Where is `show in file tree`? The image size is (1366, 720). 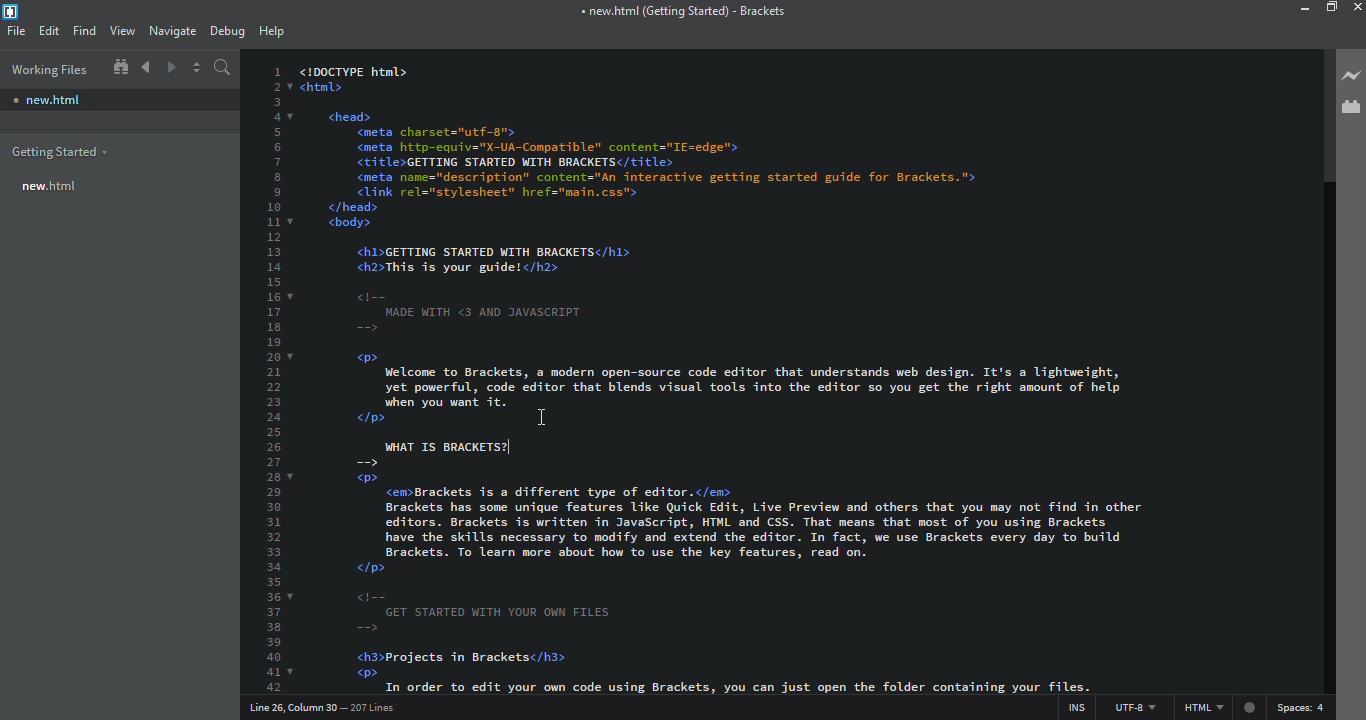
show in file tree is located at coordinates (121, 67).